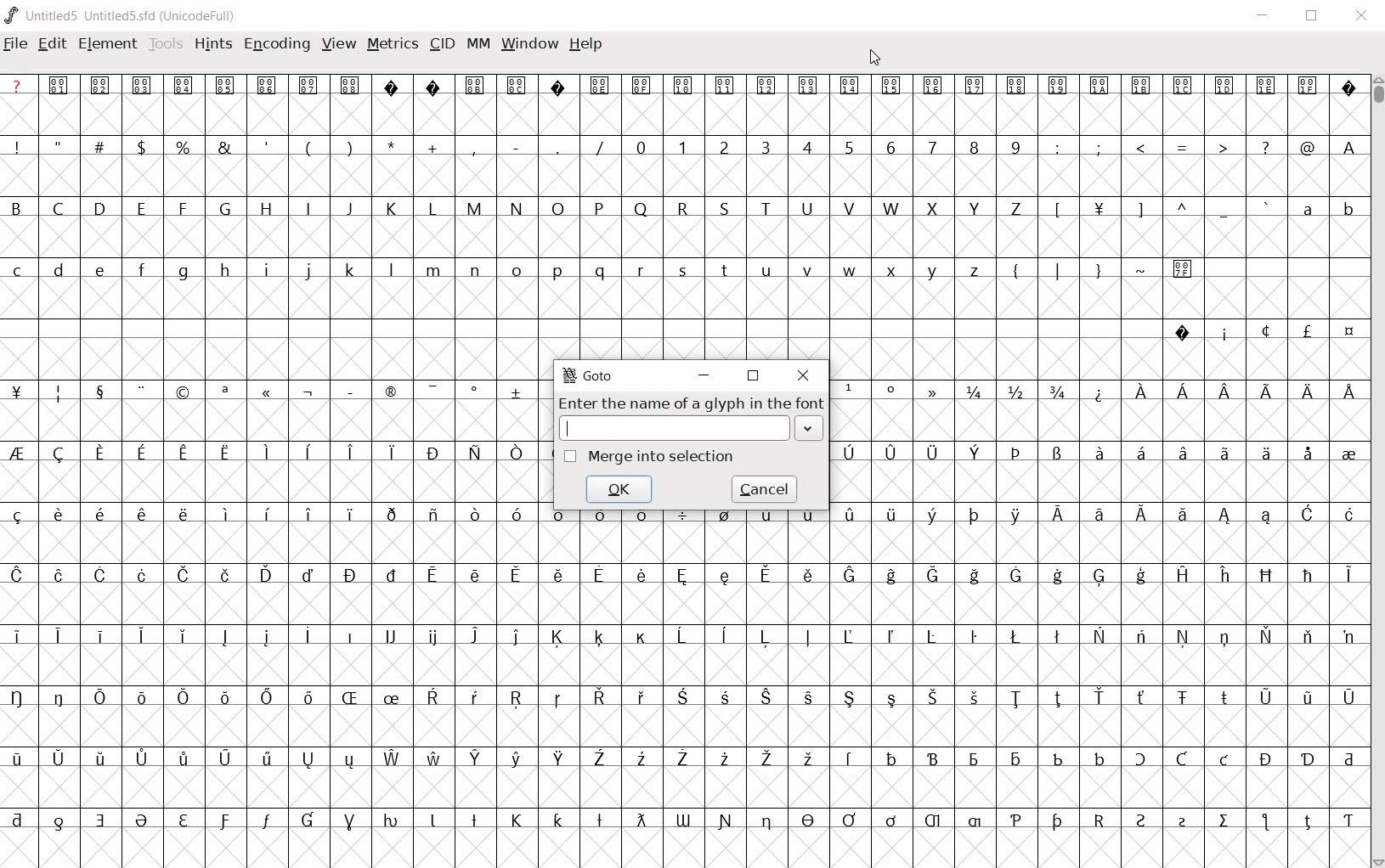 The image size is (1385, 868). I want to click on Symbol, so click(1224, 332).